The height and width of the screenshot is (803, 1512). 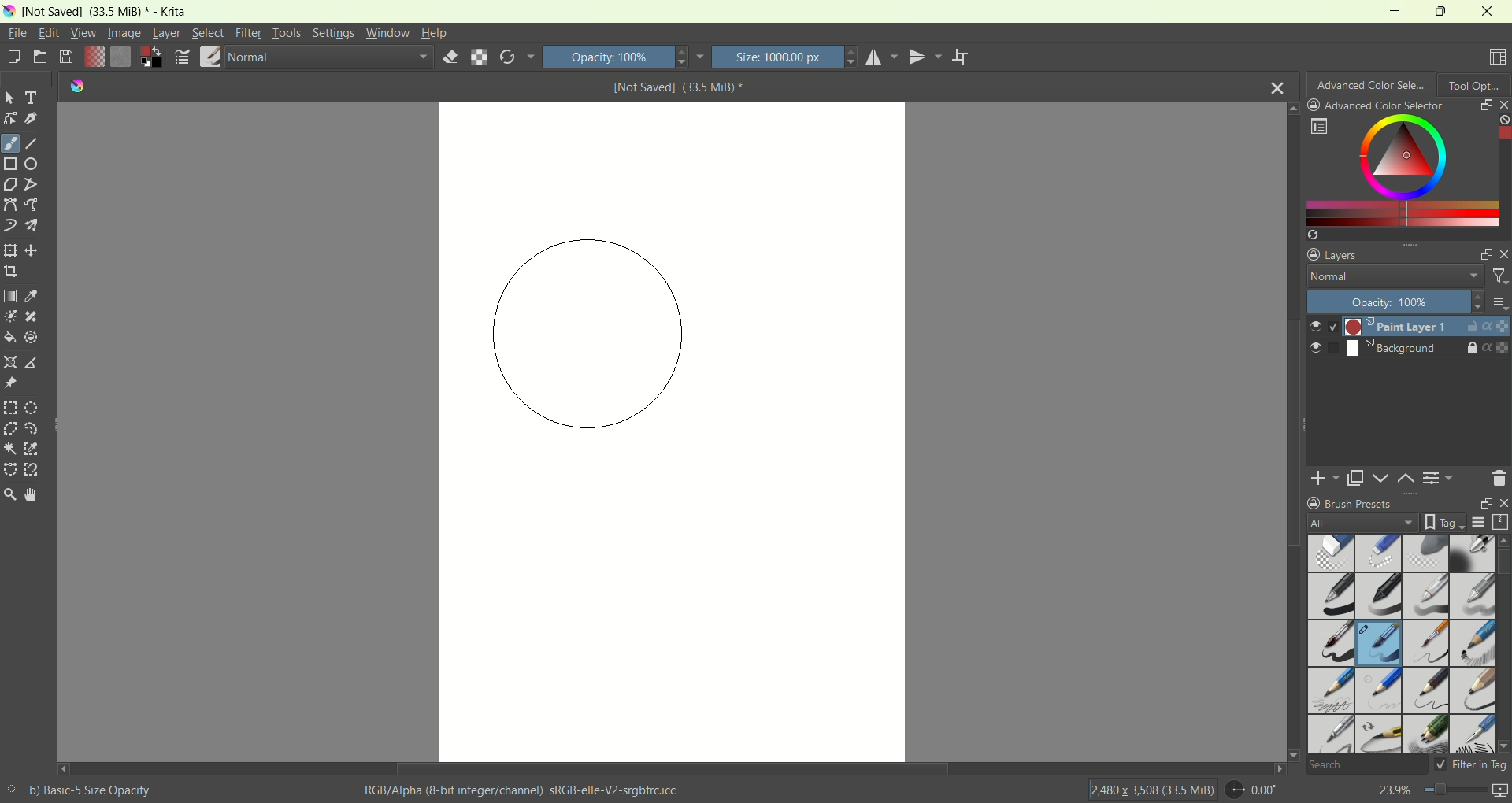 What do you see at coordinates (1496, 326) in the screenshot?
I see `properties` at bounding box center [1496, 326].